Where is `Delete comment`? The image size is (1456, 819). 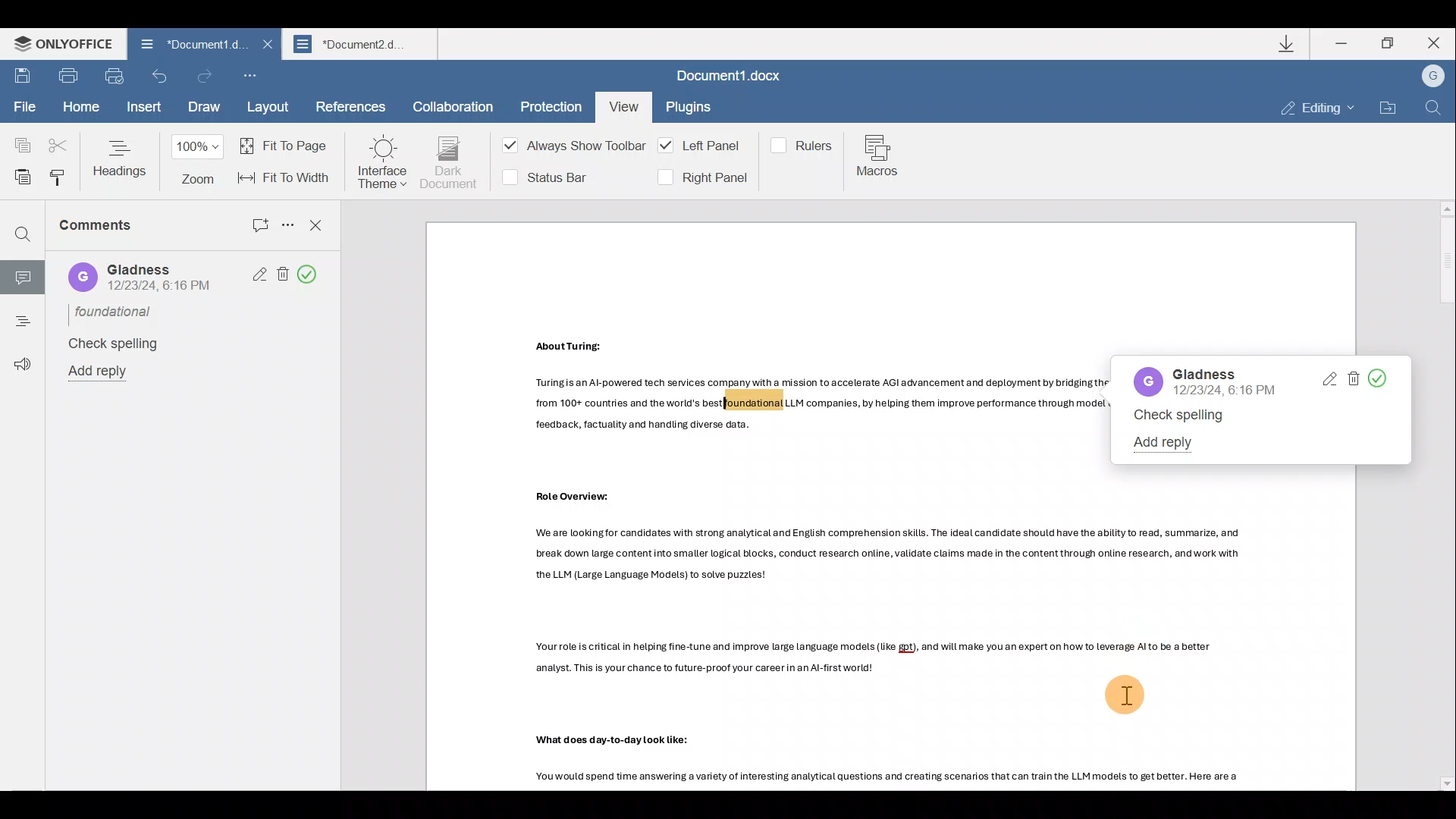
Delete comment is located at coordinates (282, 273).